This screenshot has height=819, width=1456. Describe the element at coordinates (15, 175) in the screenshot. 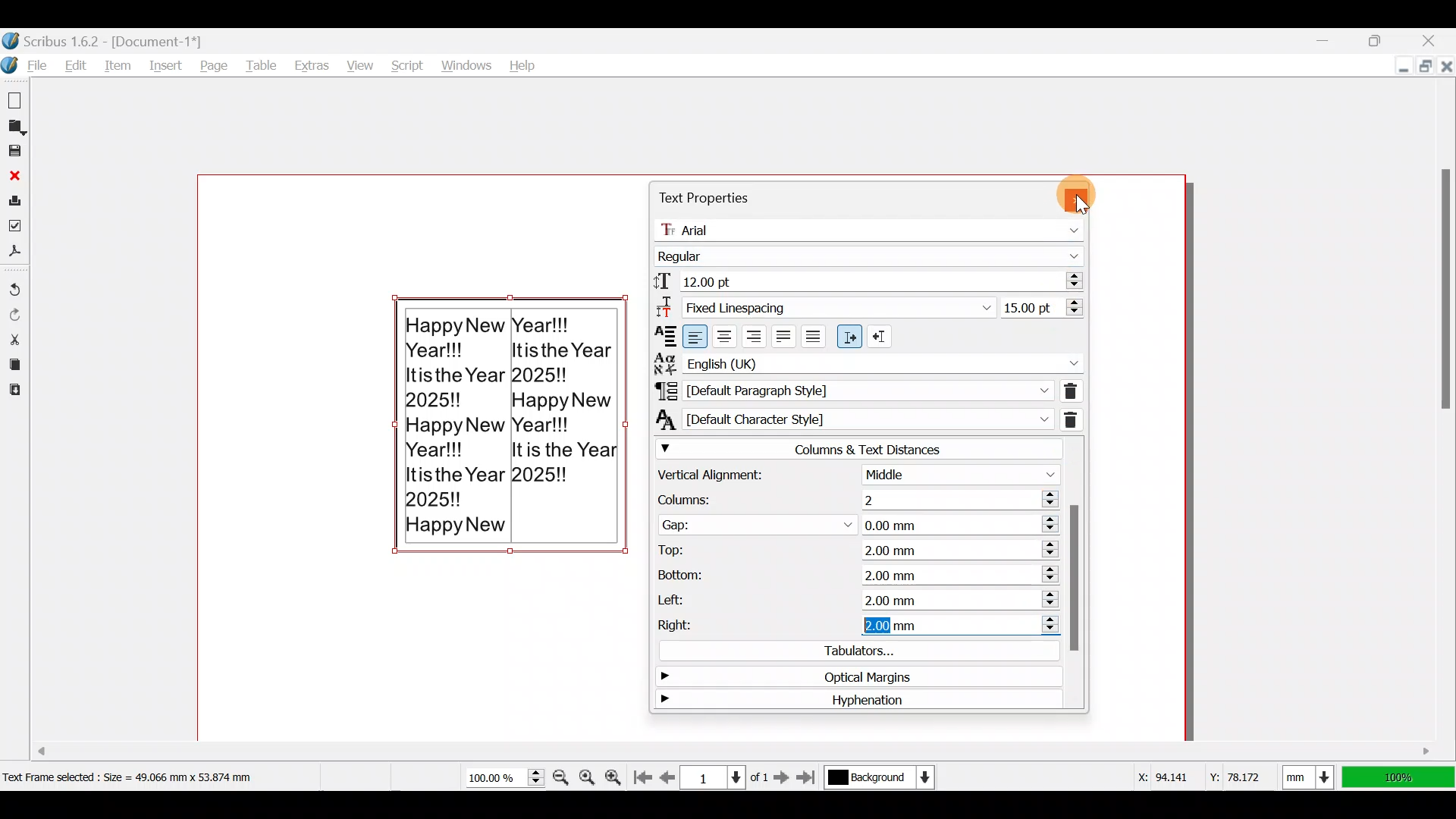

I see `Close` at that location.